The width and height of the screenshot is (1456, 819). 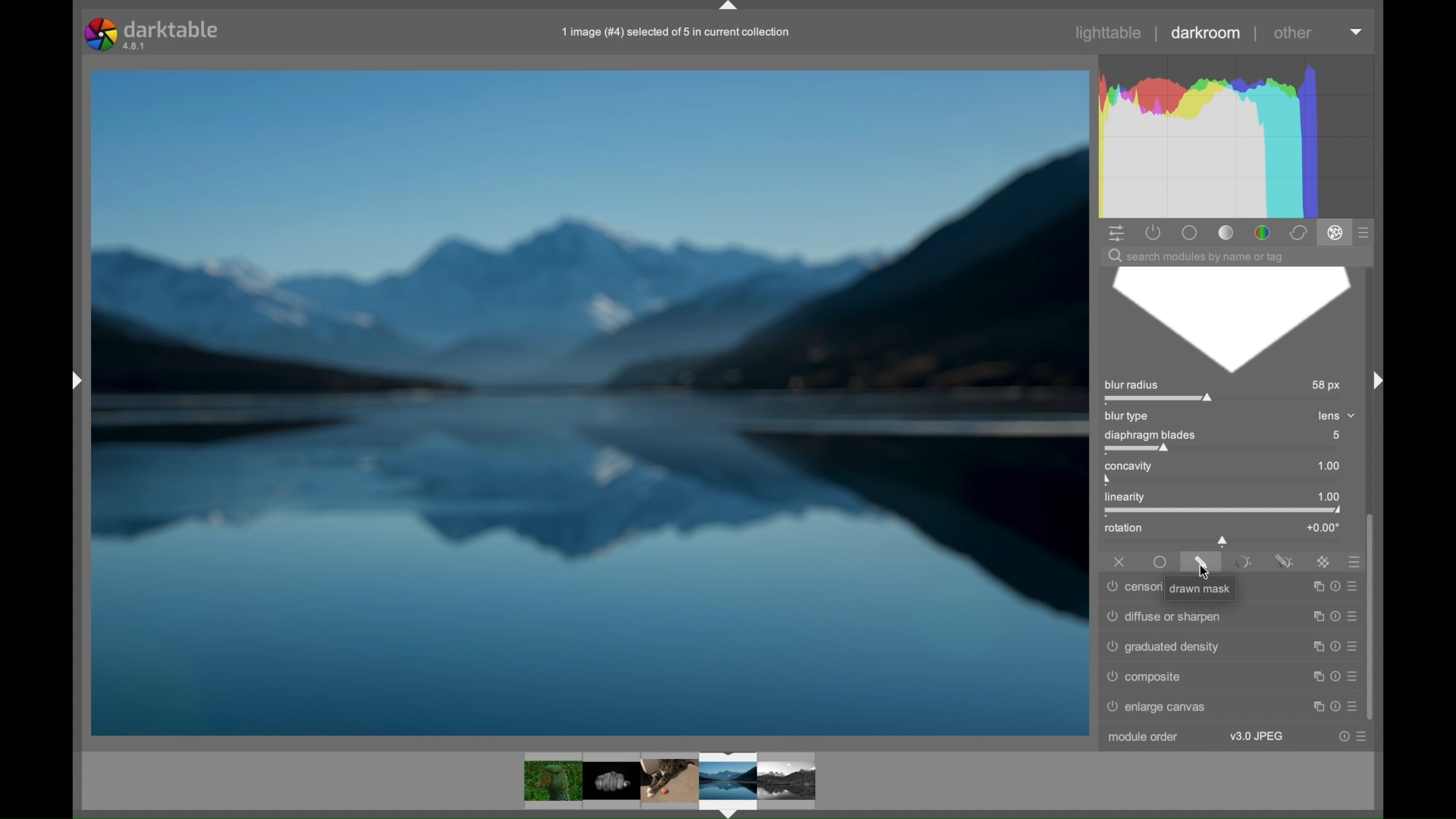 What do you see at coordinates (673, 32) in the screenshot?
I see `1 image (#4) selected of § in current collection` at bounding box center [673, 32].